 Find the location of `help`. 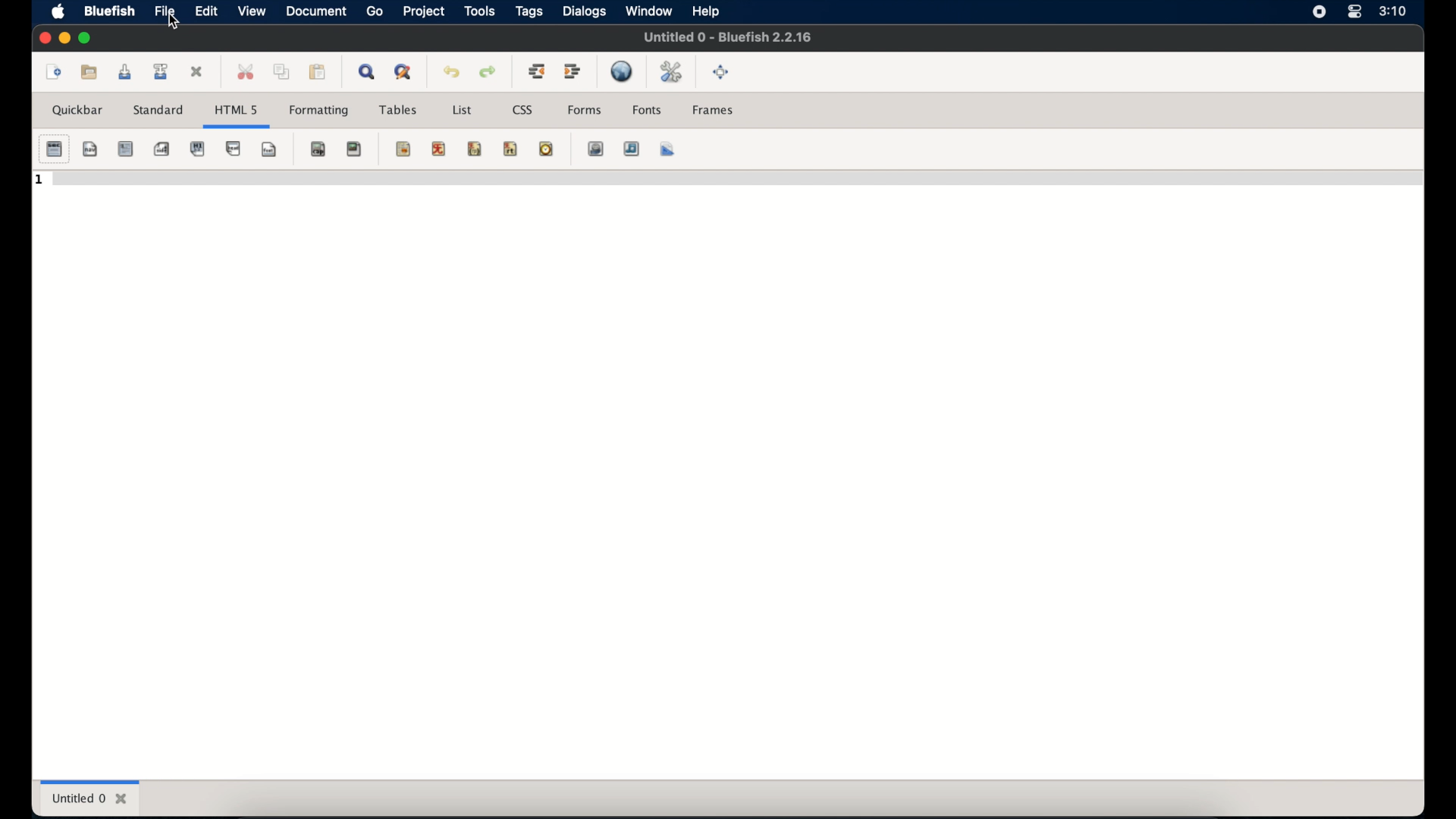

help is located at coordinates (706, 12).